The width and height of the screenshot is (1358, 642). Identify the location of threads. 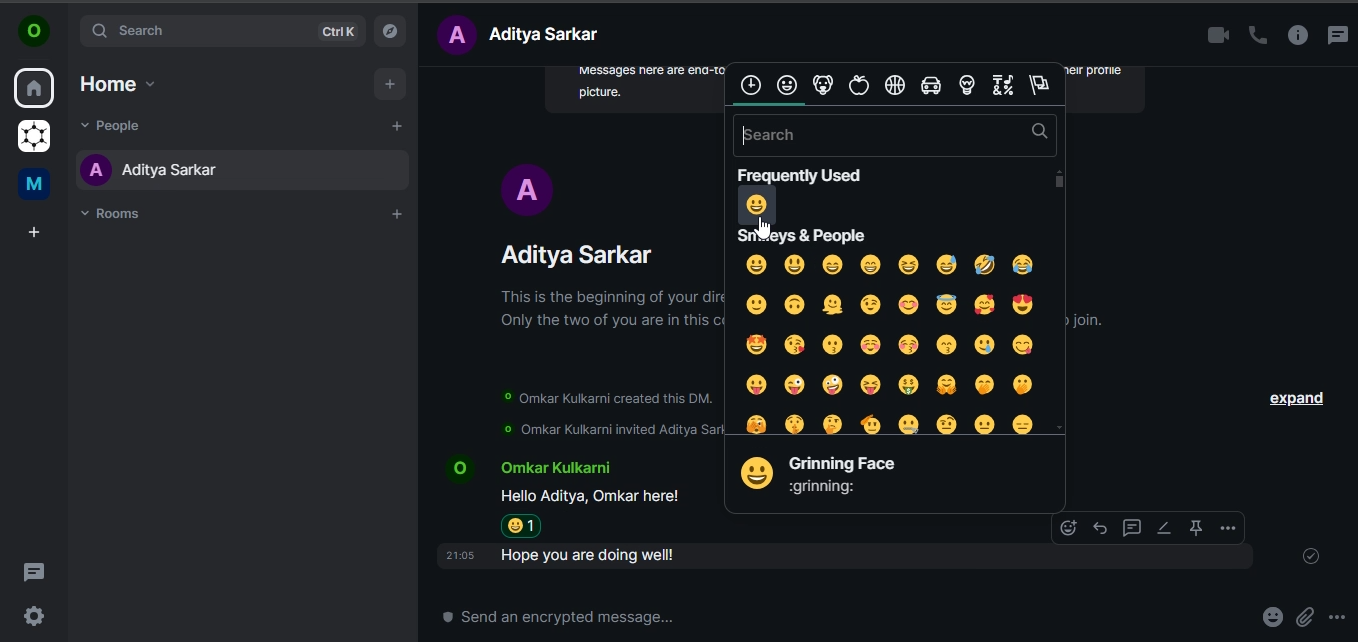
(34, 570).